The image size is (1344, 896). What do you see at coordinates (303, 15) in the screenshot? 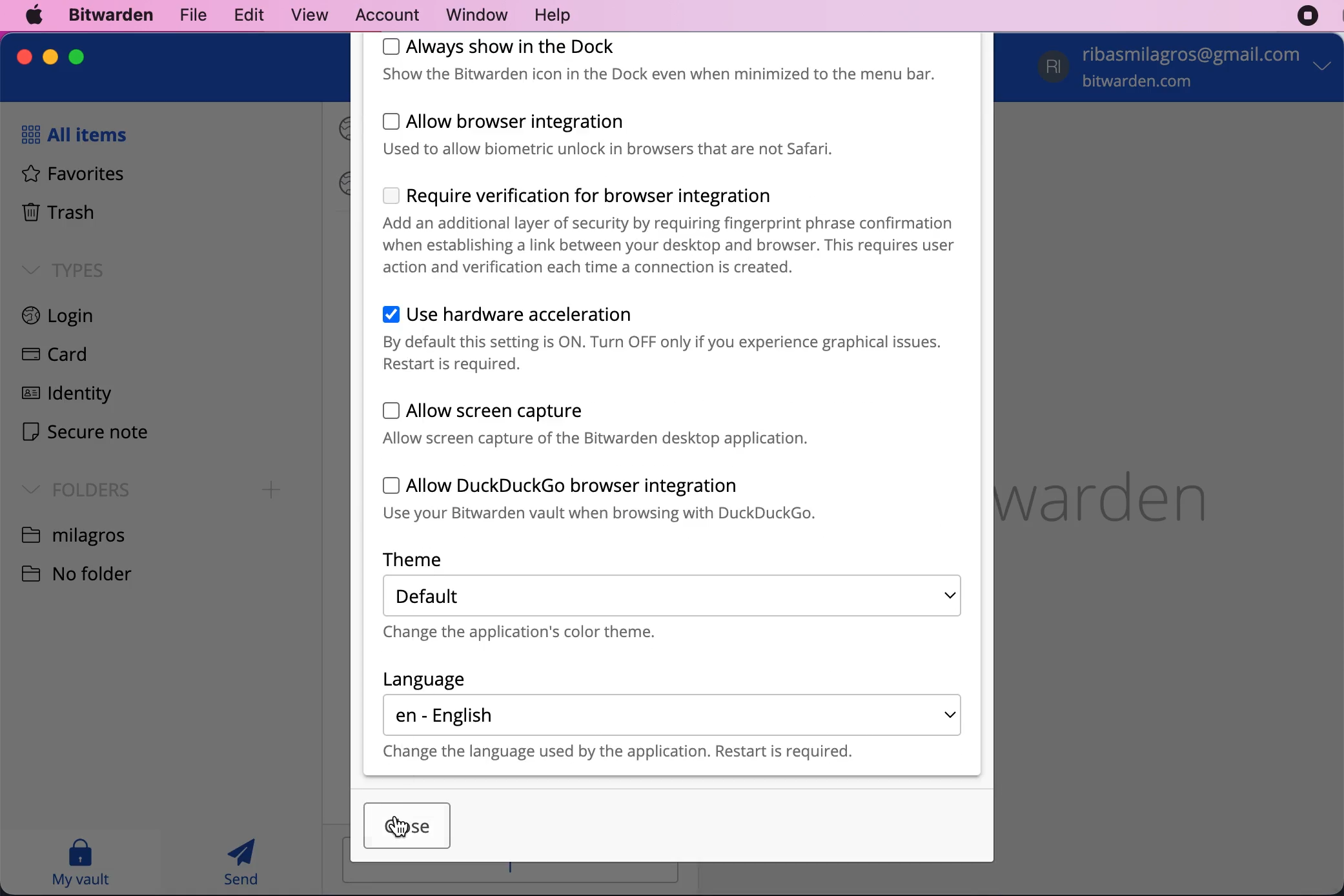
I see `view` at bounding box center [303, 15].